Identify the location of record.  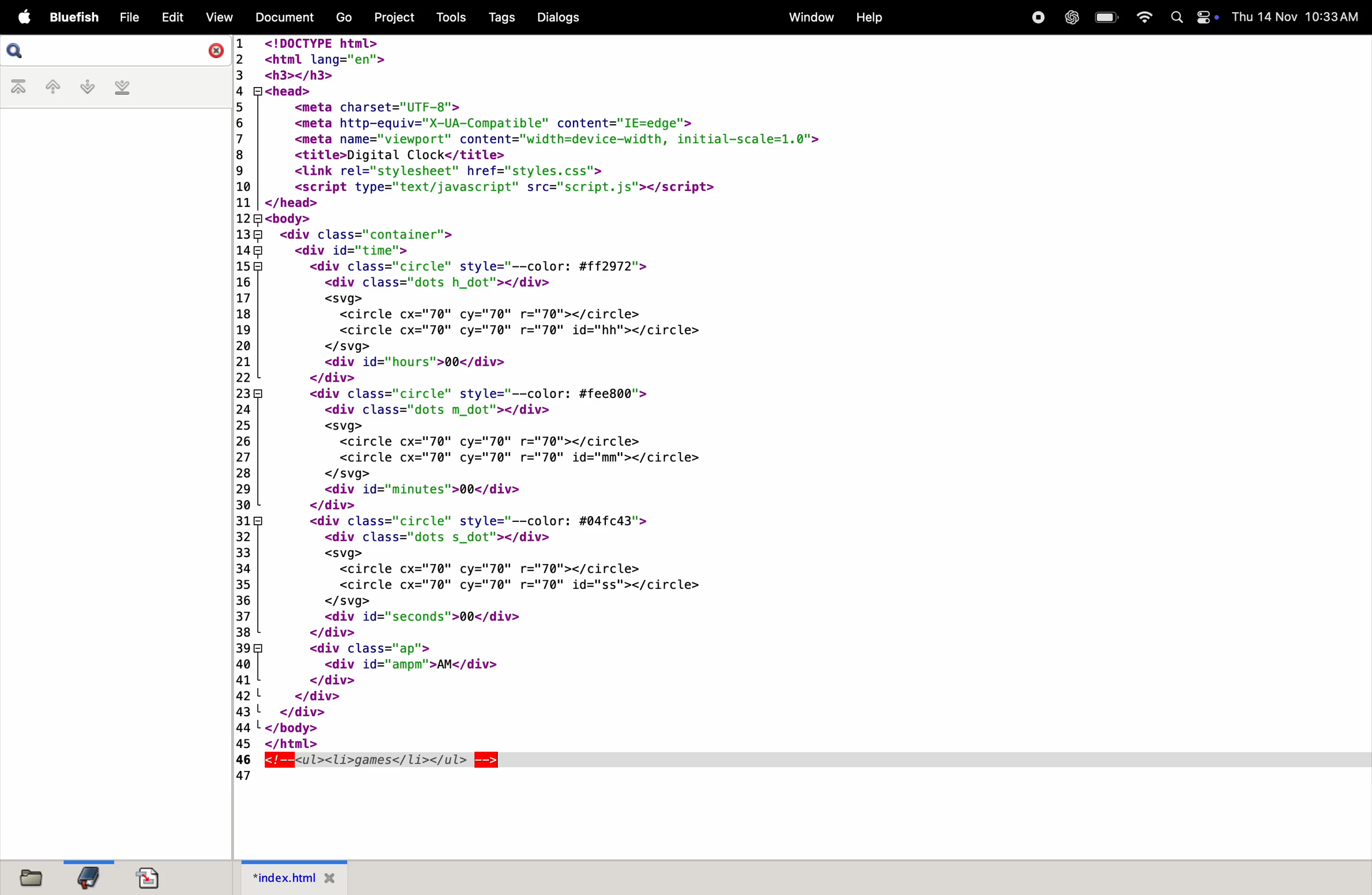
(1037, 18).